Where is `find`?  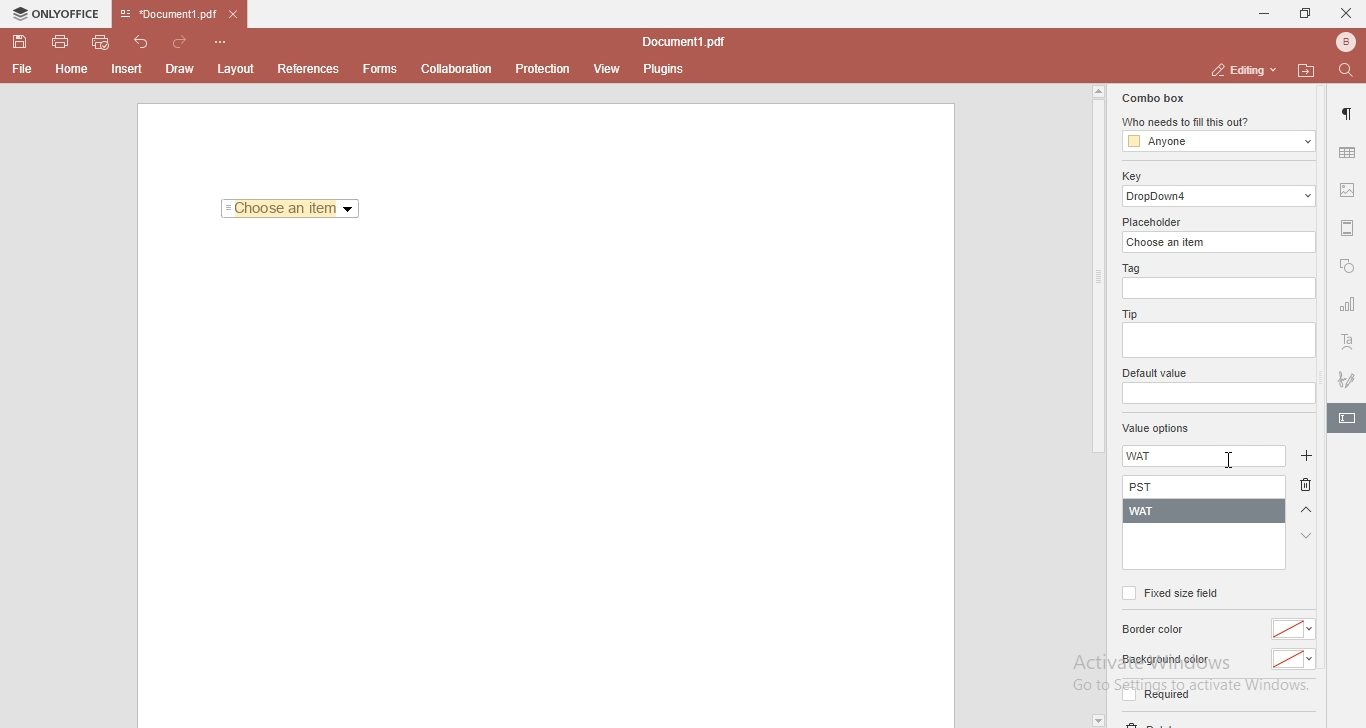 find is located at coordinates (1350, 69).